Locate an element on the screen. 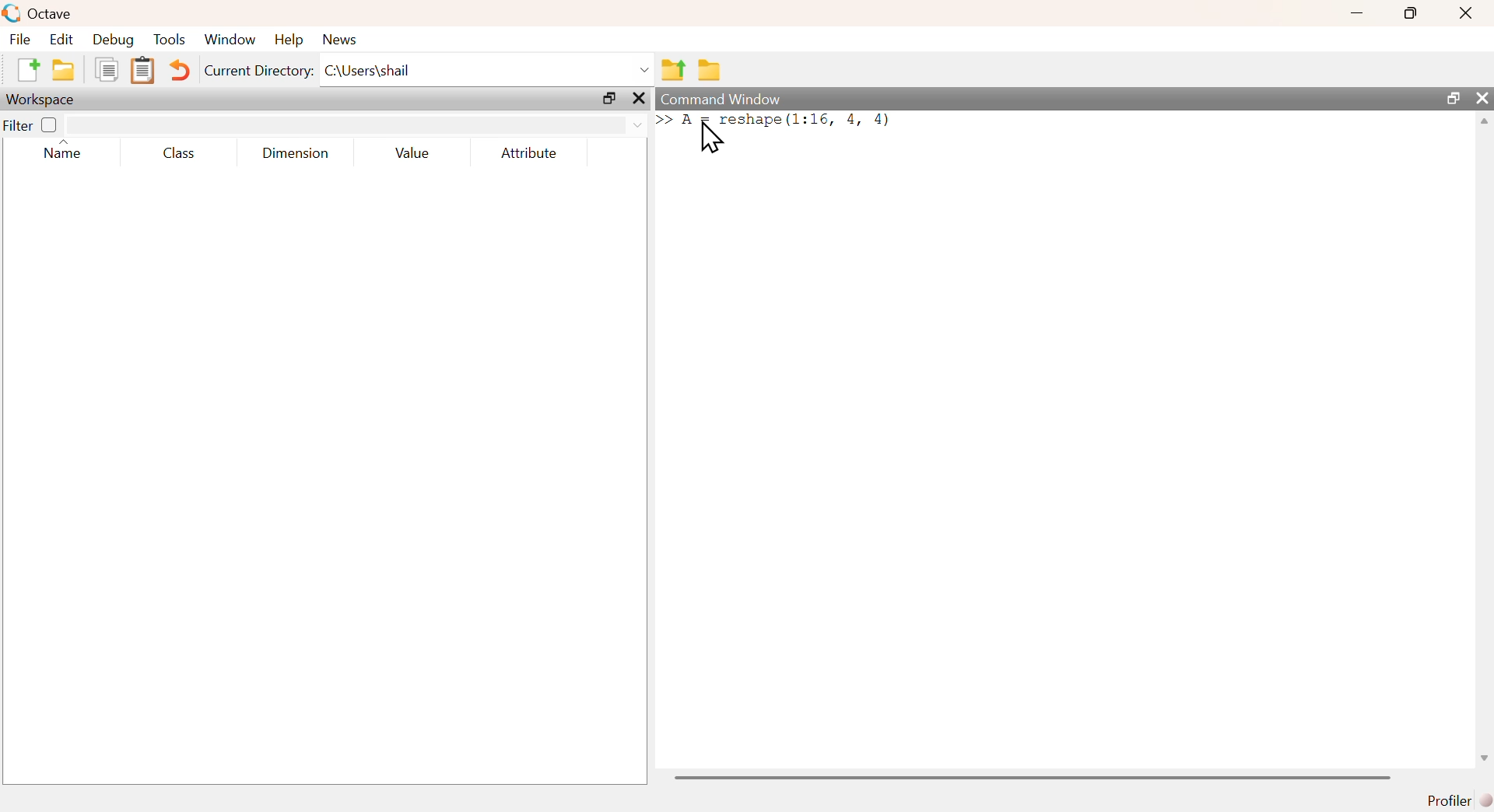  news is located at coordinates (347, 39).